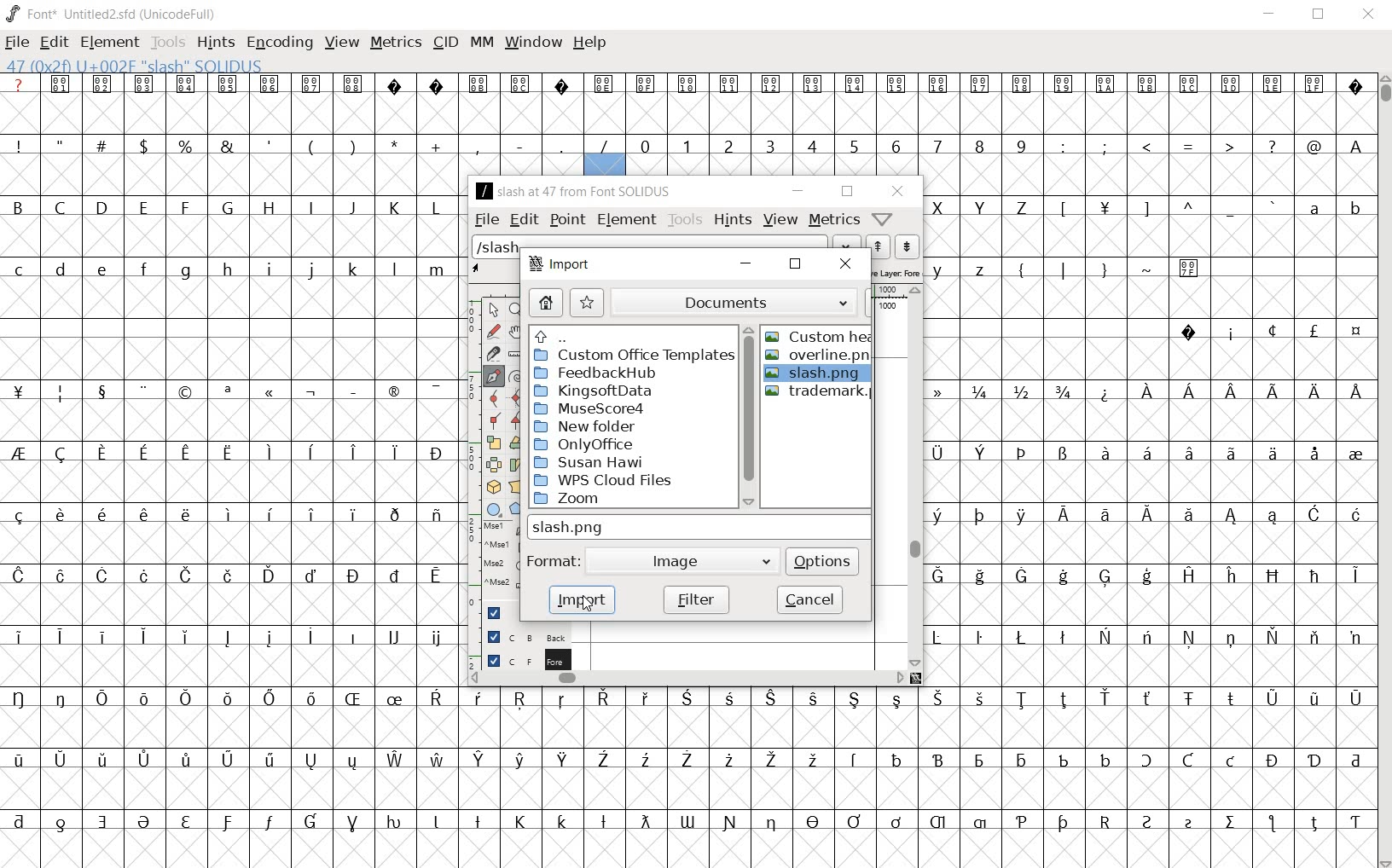  Describe the element at coordinates (1316, 14) in the screenshot. I see `RESTORE` at that location.